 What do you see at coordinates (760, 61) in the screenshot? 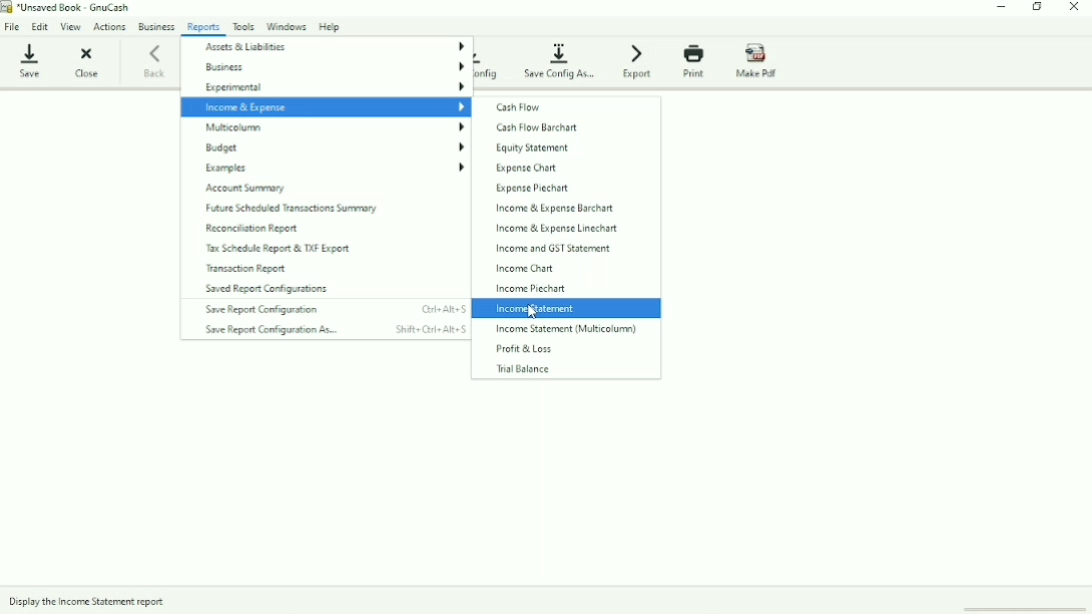
I see `Make Pdf` at bounding box center [760, 61].